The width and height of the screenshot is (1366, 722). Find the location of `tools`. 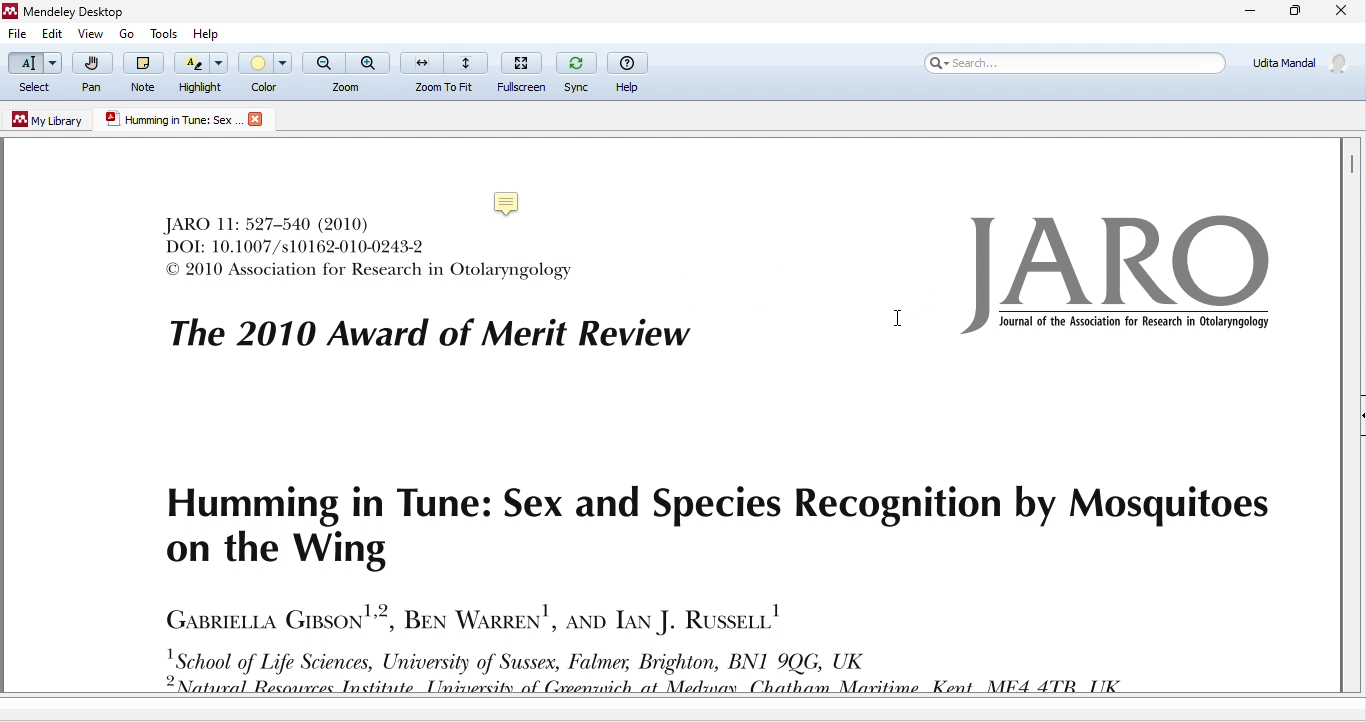

tools is located at coordinates (162, 32).